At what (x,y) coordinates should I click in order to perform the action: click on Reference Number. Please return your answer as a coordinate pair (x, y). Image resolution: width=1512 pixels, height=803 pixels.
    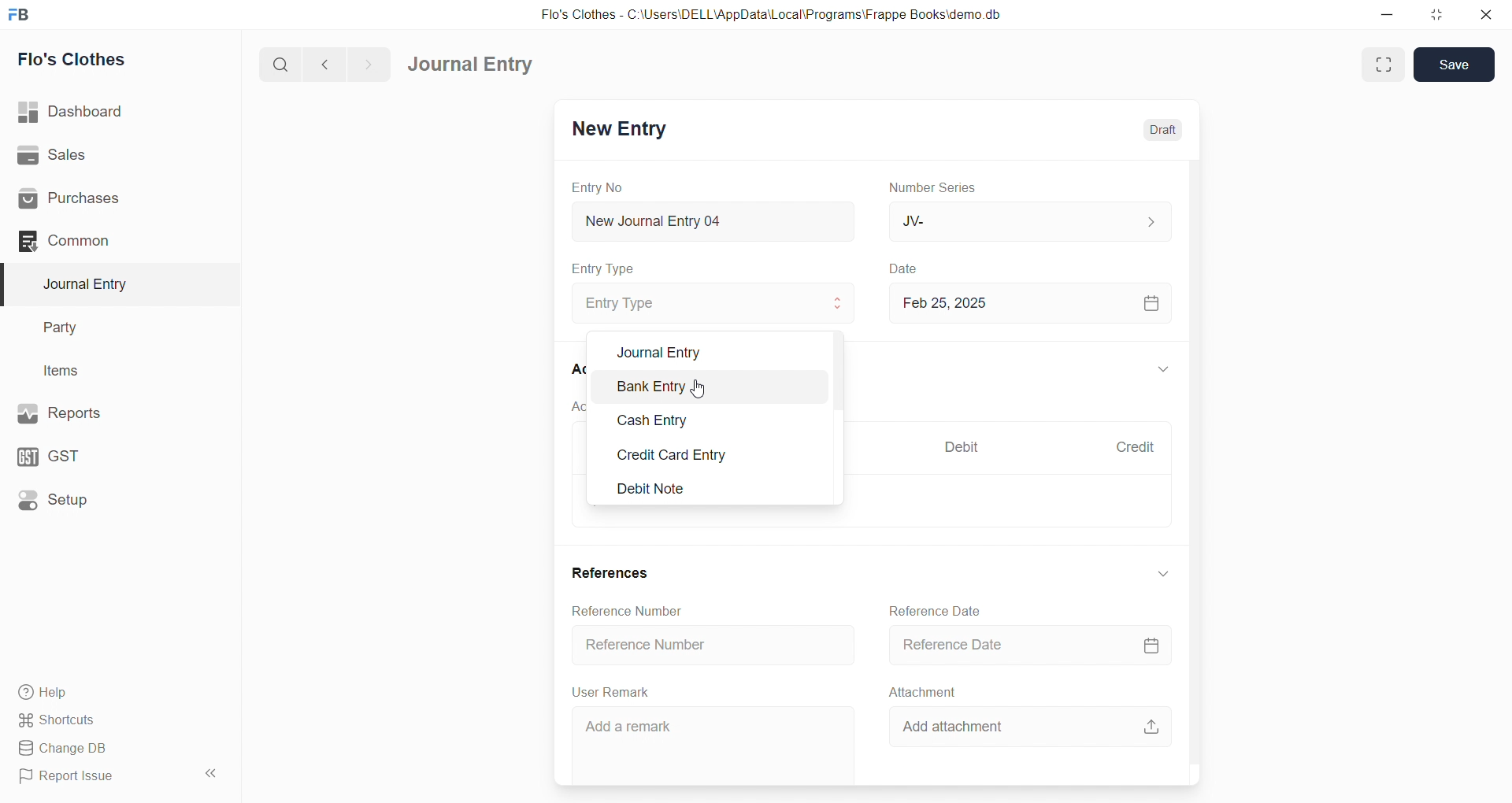
    Looking at the image, I should click on (632, 610).